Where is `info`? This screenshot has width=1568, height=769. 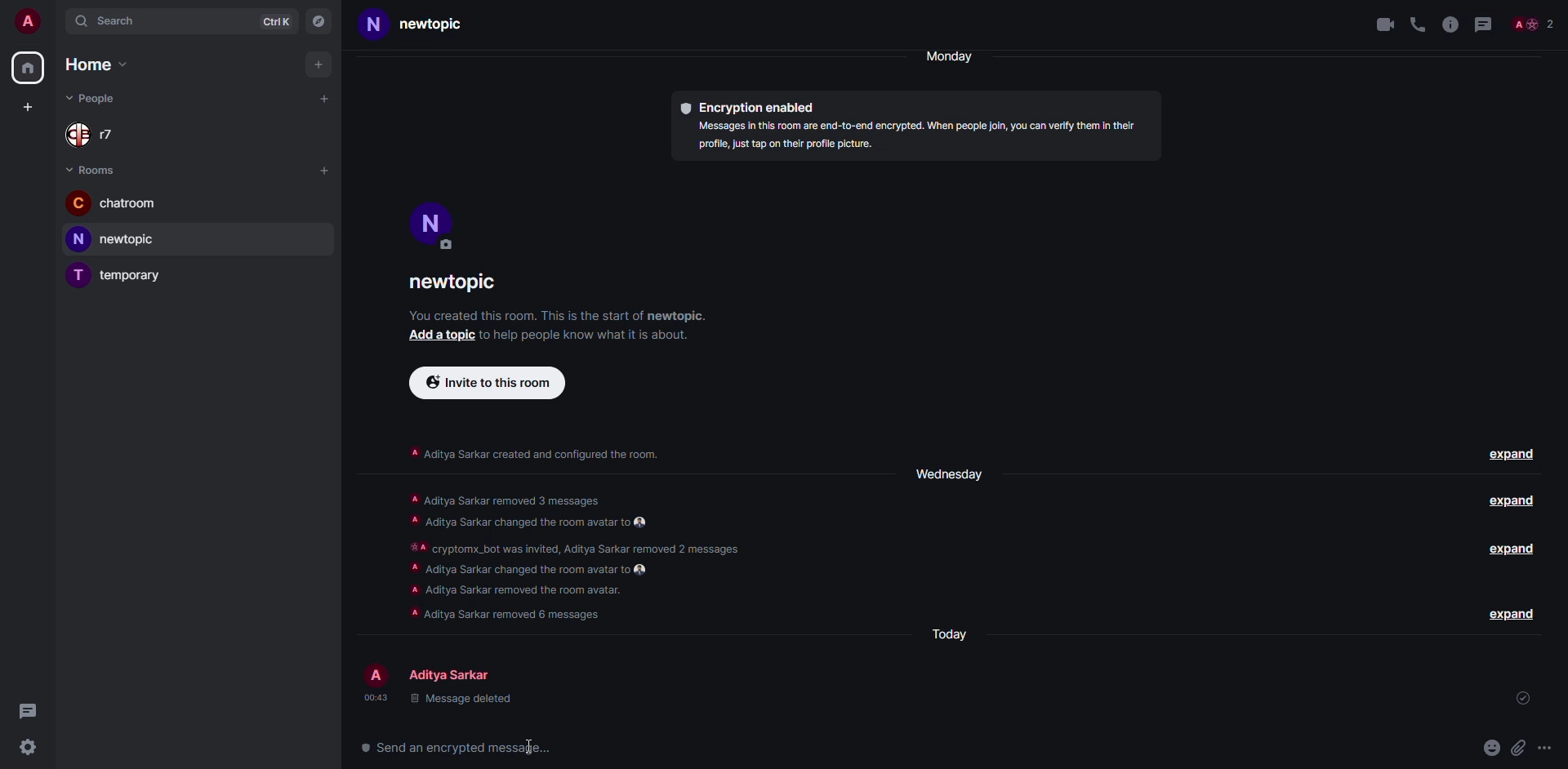 info is located at coordinates (921, 137).